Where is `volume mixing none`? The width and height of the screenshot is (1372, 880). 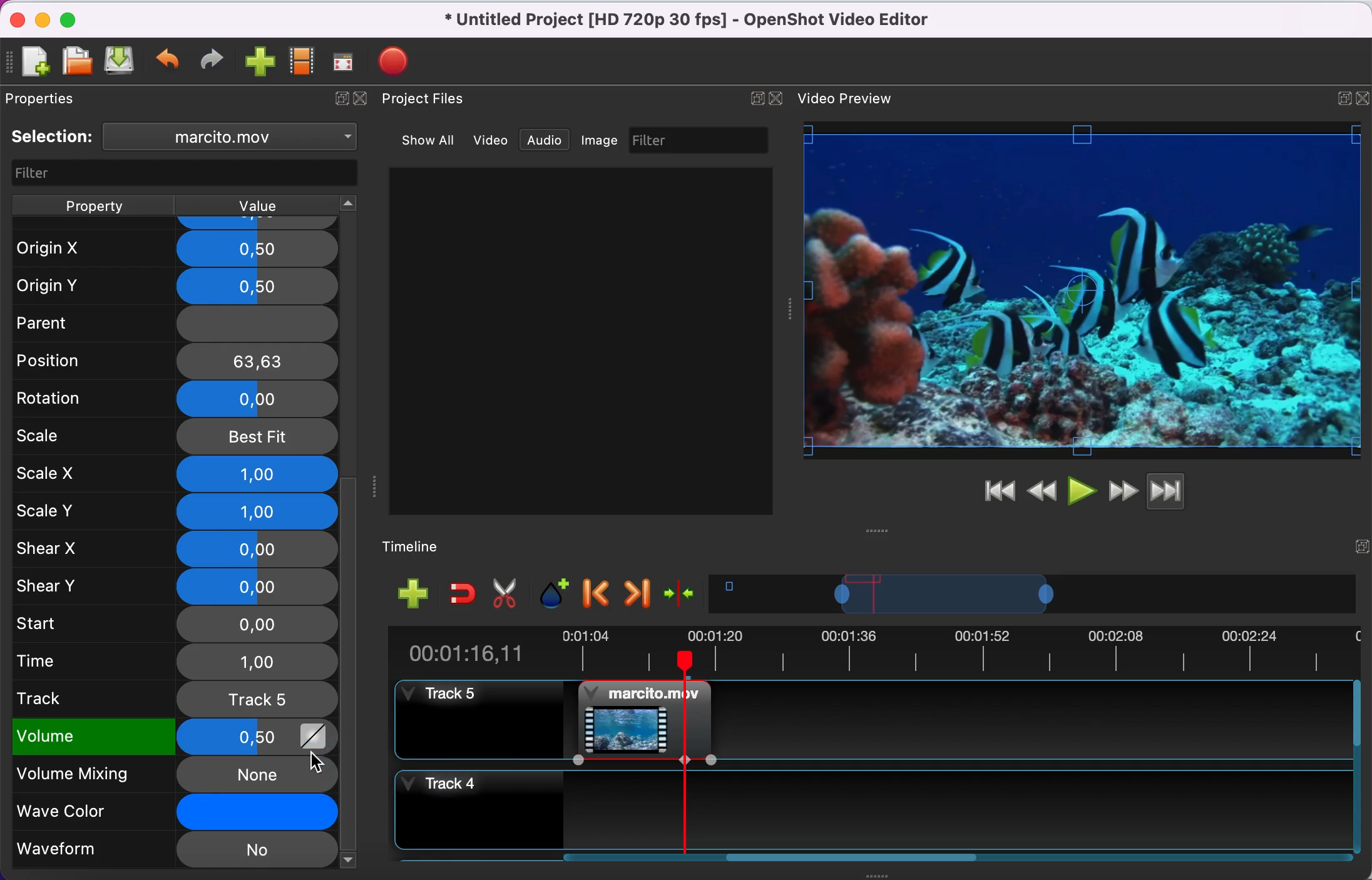 volume mixing none is located at coordinates (155, 774).